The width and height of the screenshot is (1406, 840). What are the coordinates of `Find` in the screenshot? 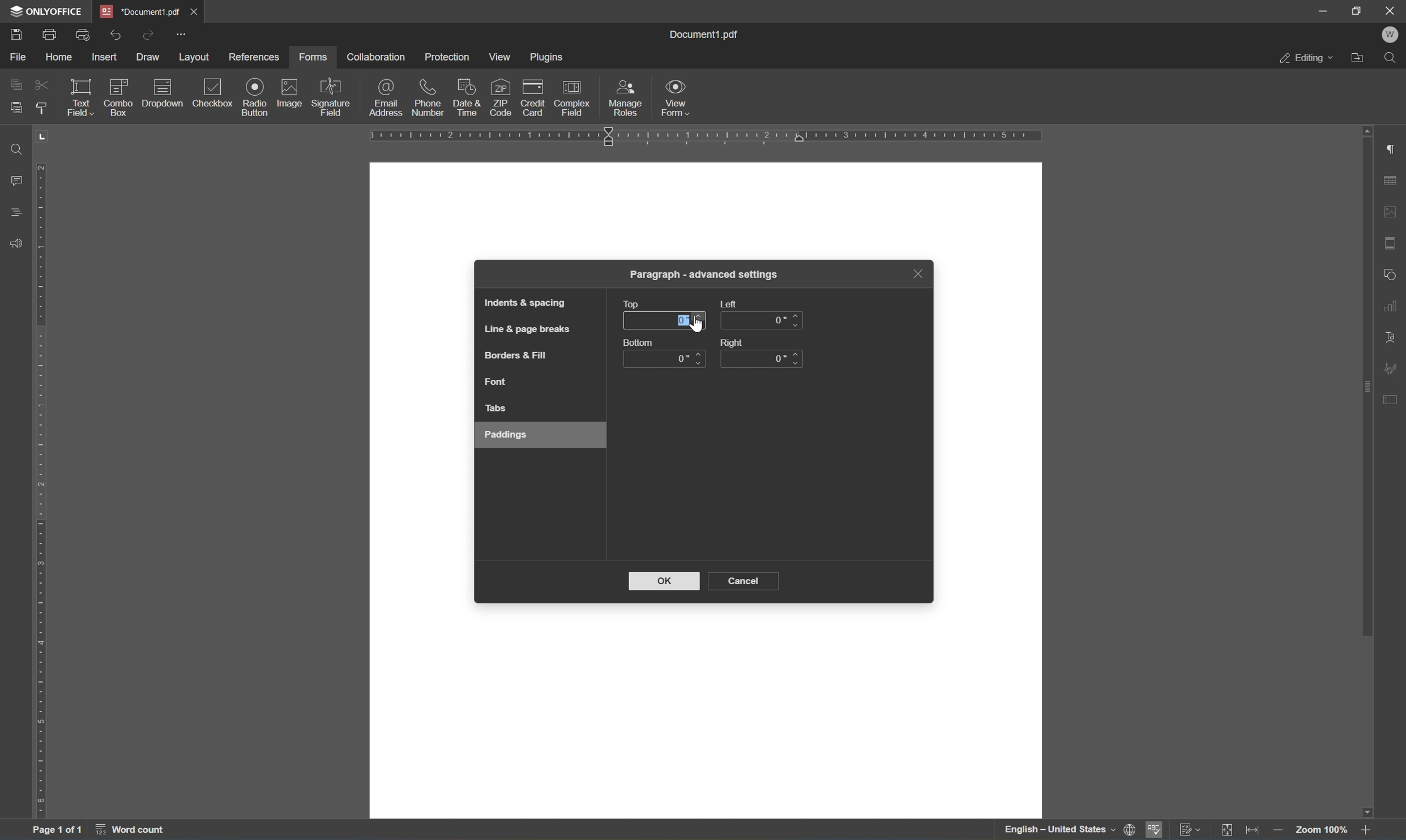 It's located at (1394, 61).